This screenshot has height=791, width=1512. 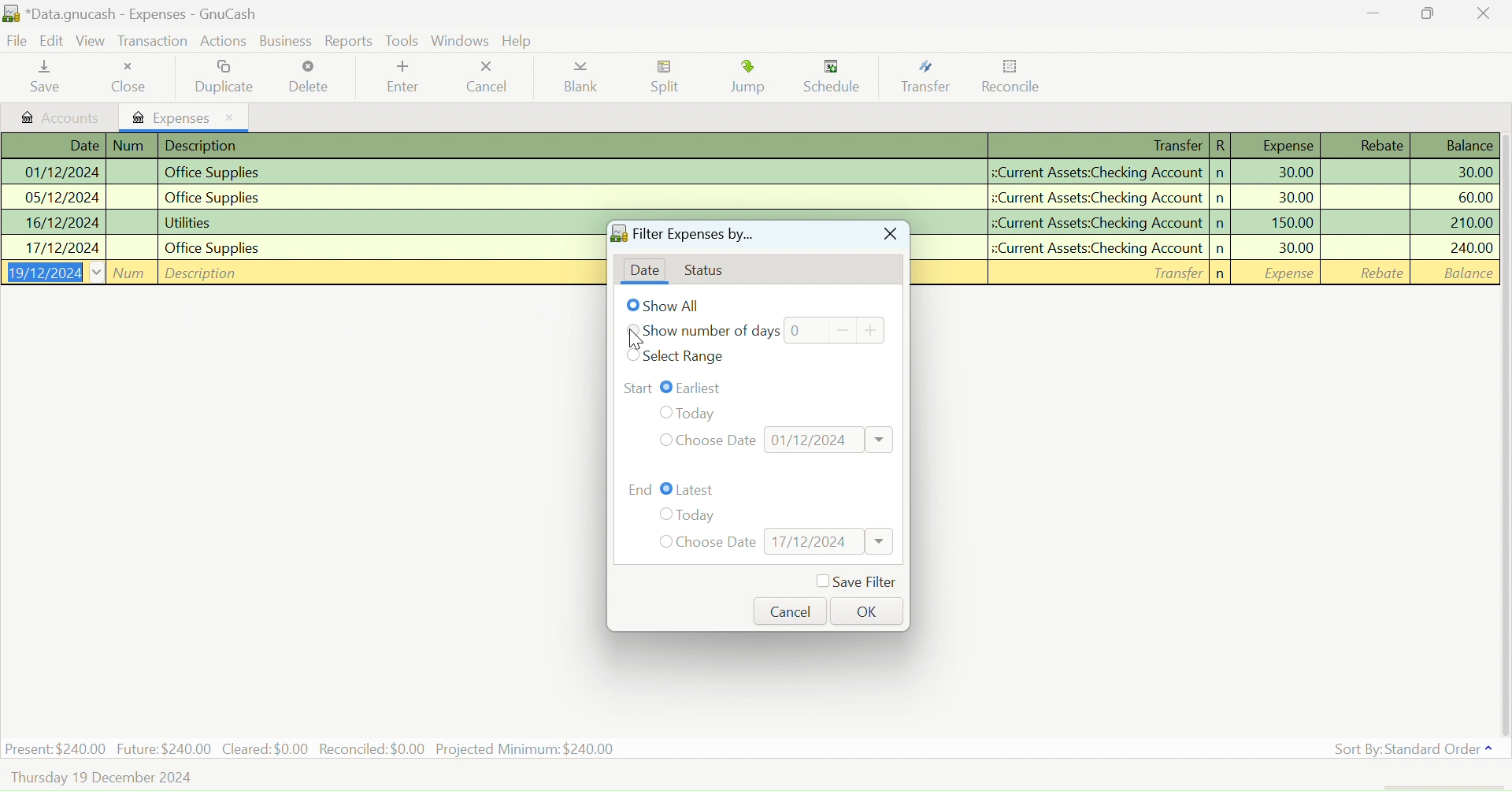 I want to click on Show All, so click(x=676, y=306).